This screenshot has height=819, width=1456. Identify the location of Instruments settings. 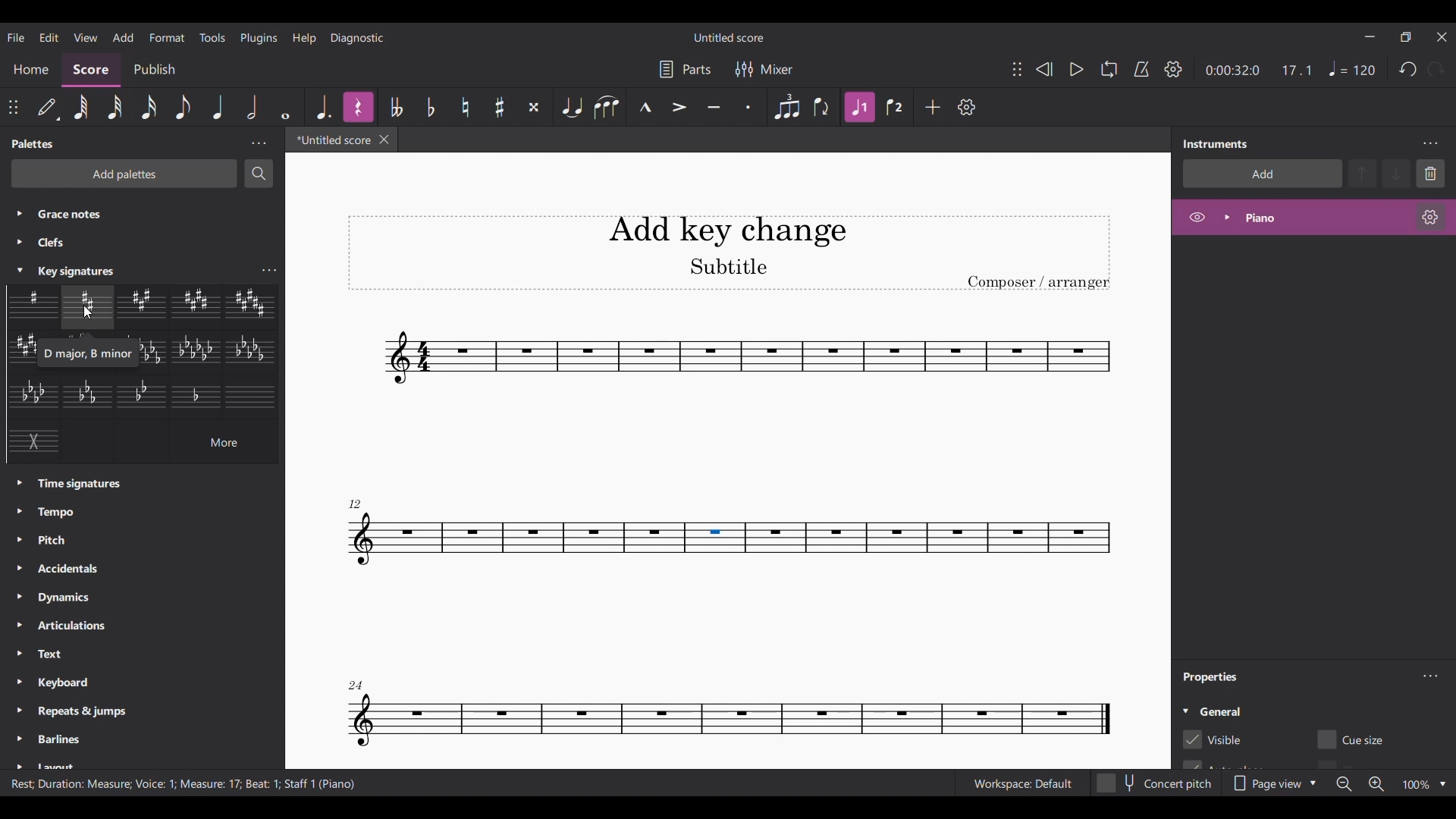
(1429, 143).